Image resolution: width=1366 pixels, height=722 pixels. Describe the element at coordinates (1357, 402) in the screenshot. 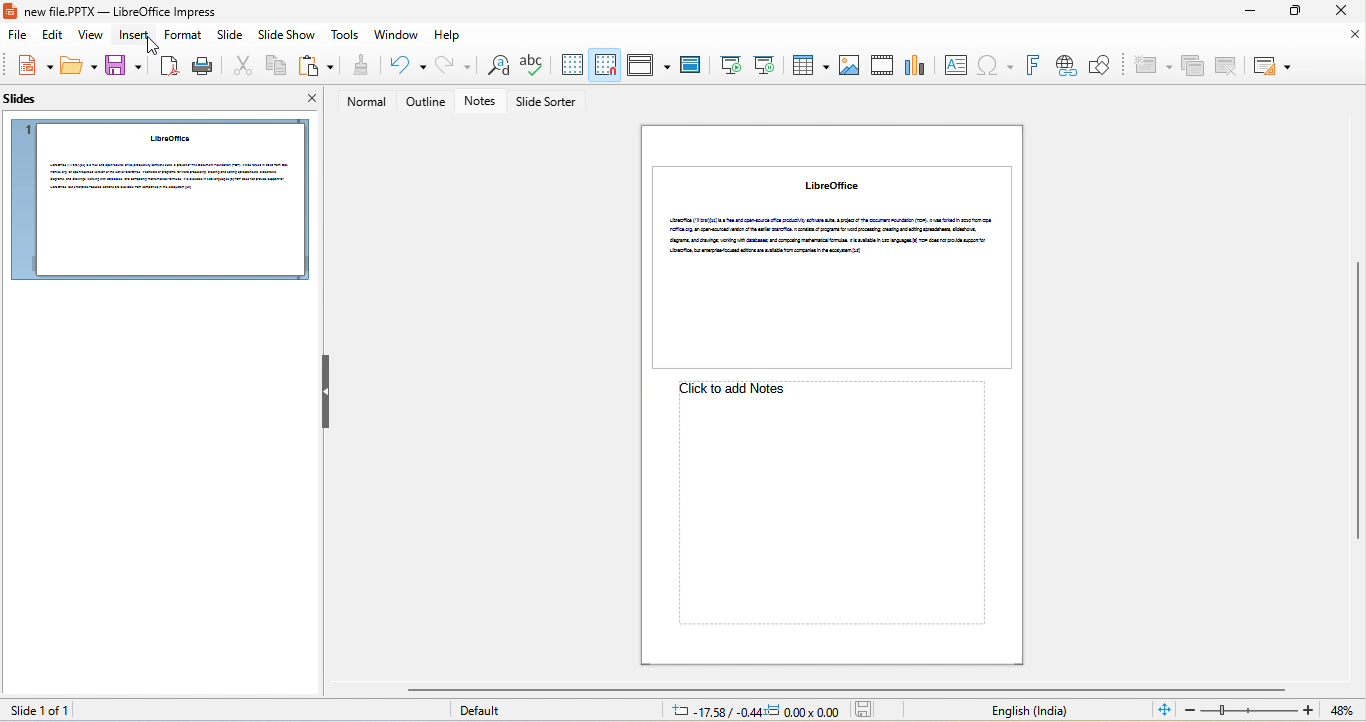

I see `vertical scrollbar` at that location.